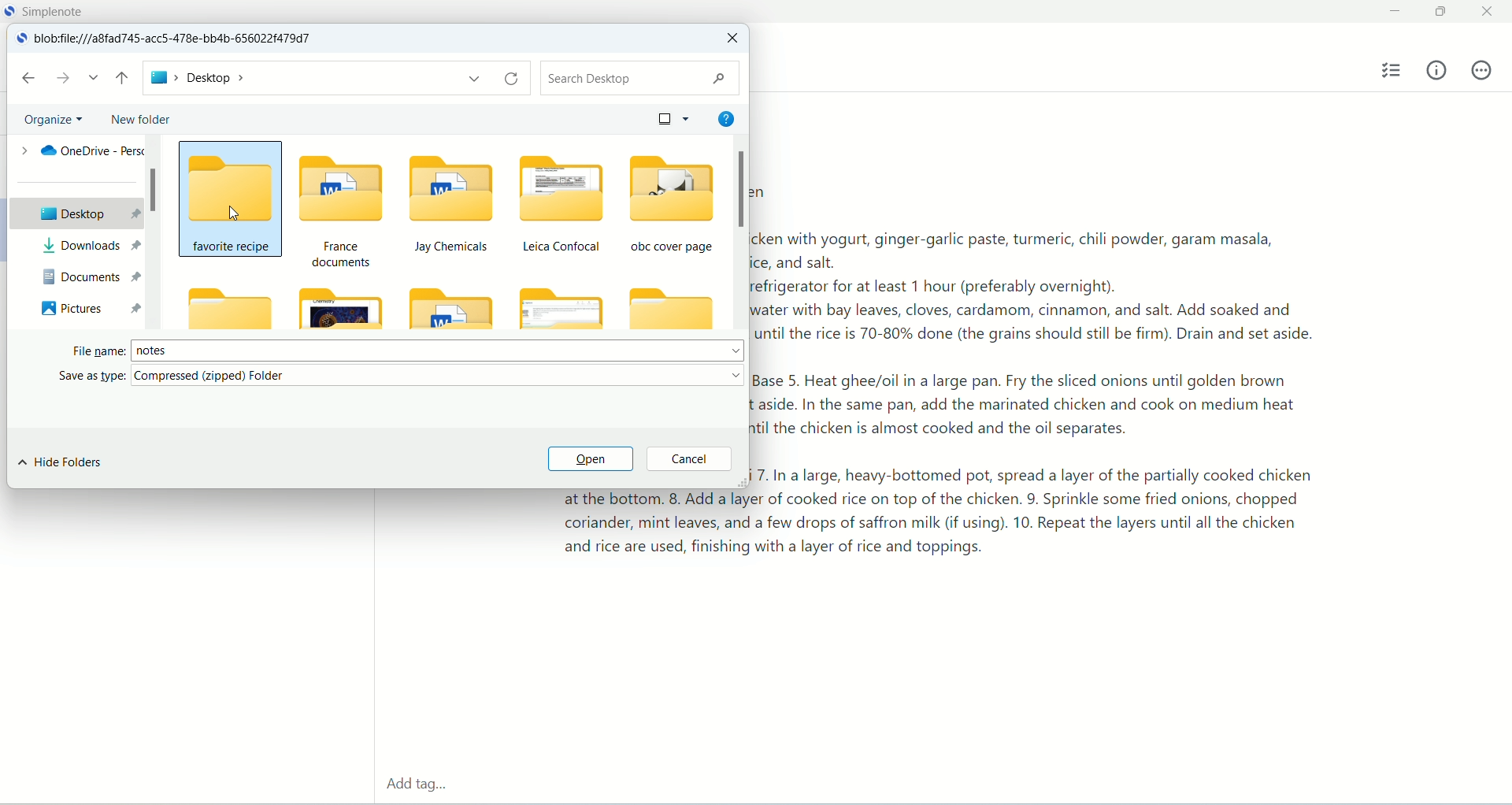 This screenshot has width=1512, height=805. Describe the element at coordinates (28, 78) in the screenshot. I see `back` at that location.